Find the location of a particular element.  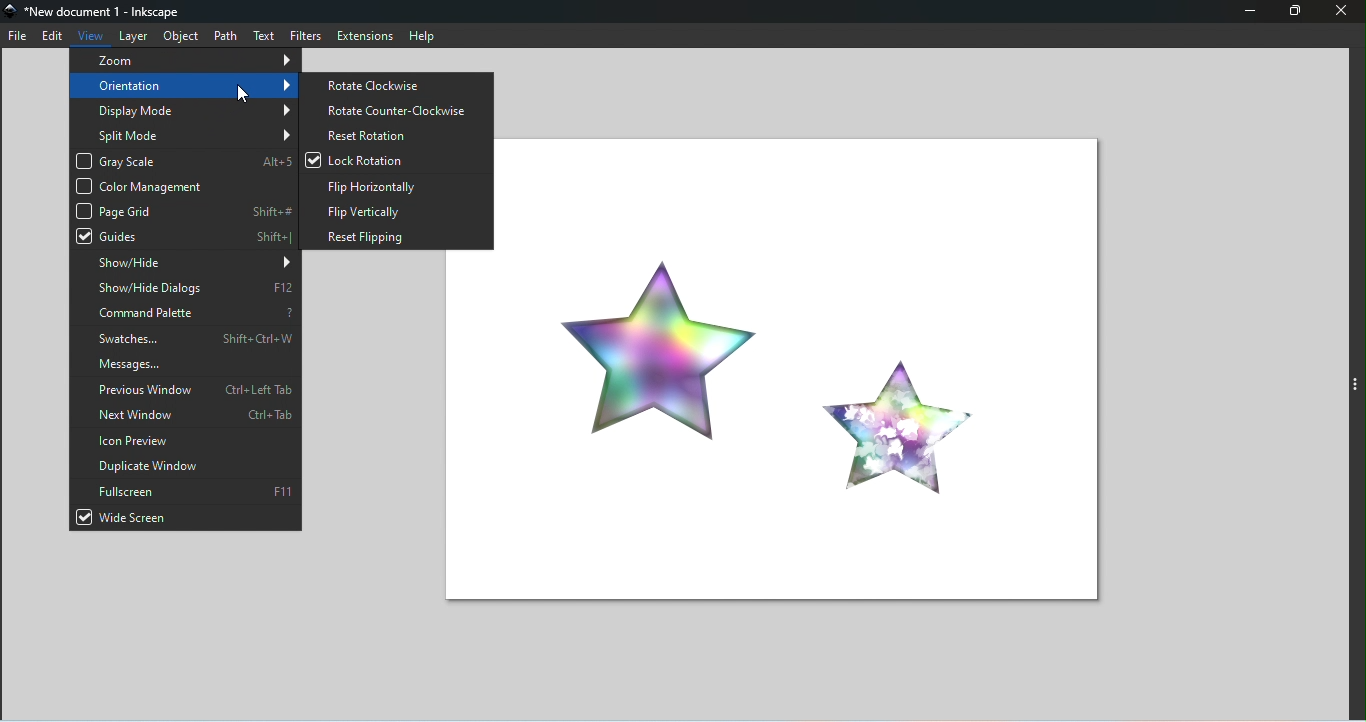

Messages is located at coordinates (185, 364).